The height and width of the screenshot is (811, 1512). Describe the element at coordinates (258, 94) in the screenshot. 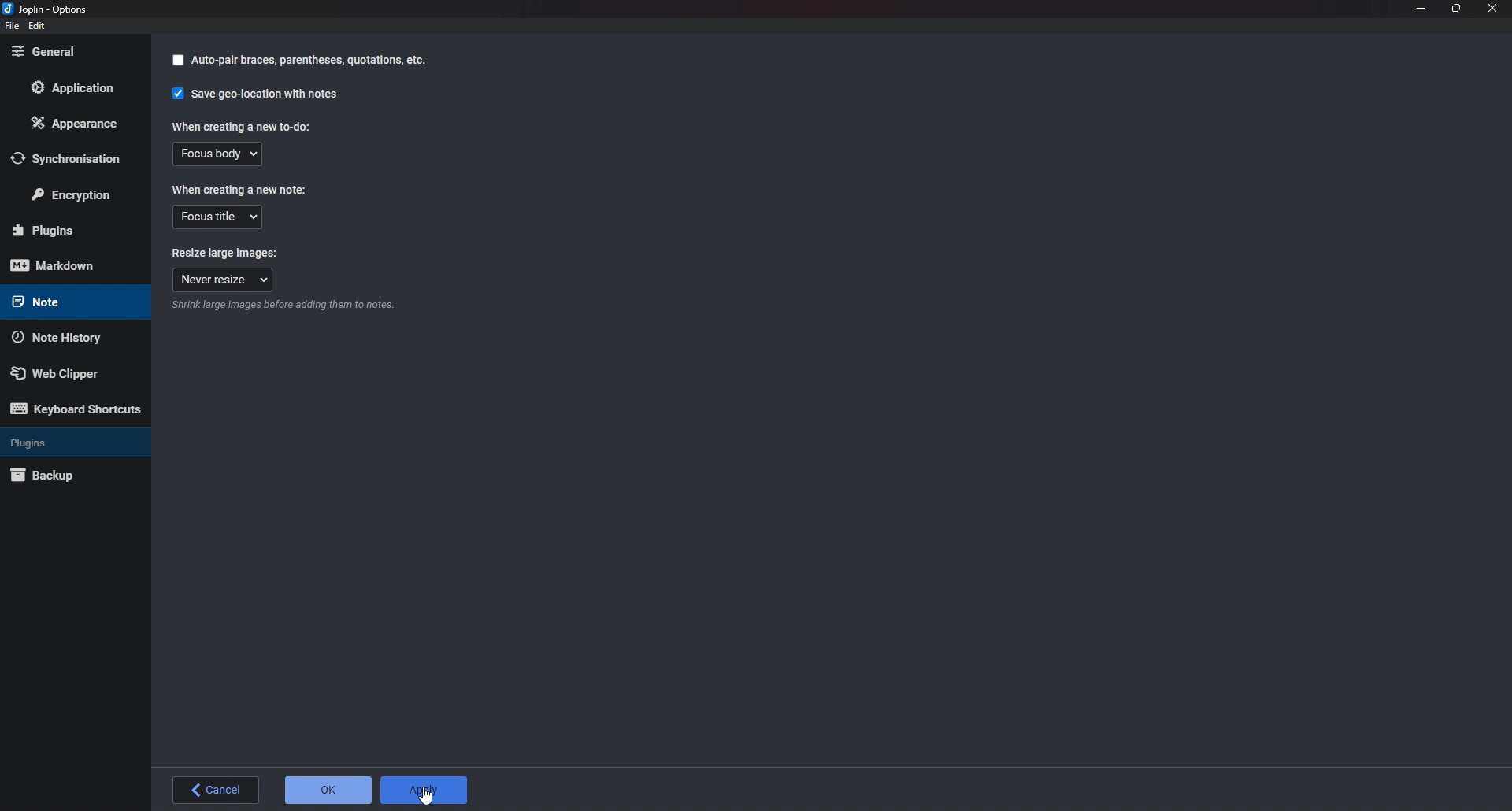

I see `Save geo location with notes` at that location.